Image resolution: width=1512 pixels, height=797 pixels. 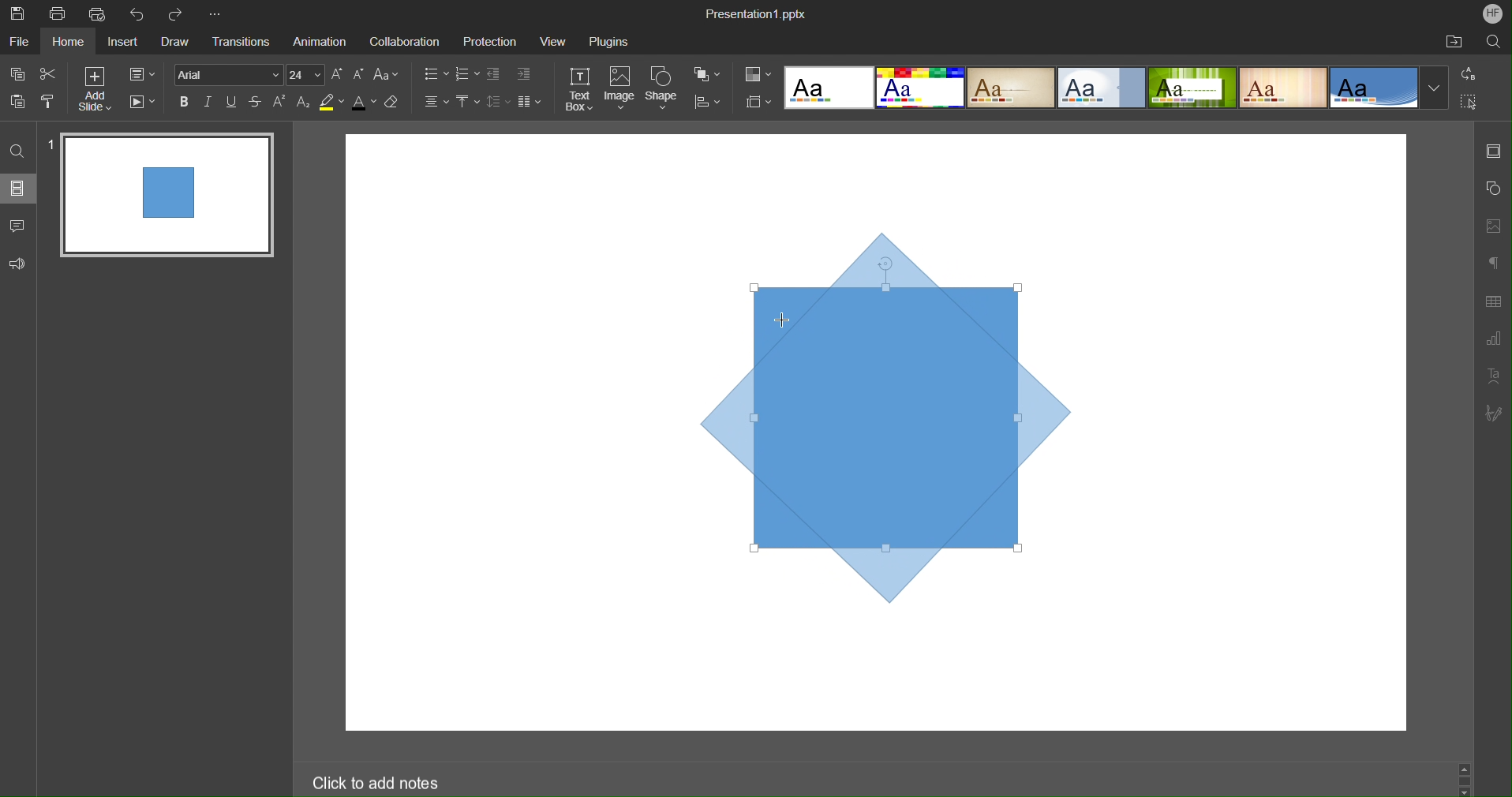 What do you see at coordinates (16, 102) in the screenshot?
I see `Paste` at bounding box center [16, 102].